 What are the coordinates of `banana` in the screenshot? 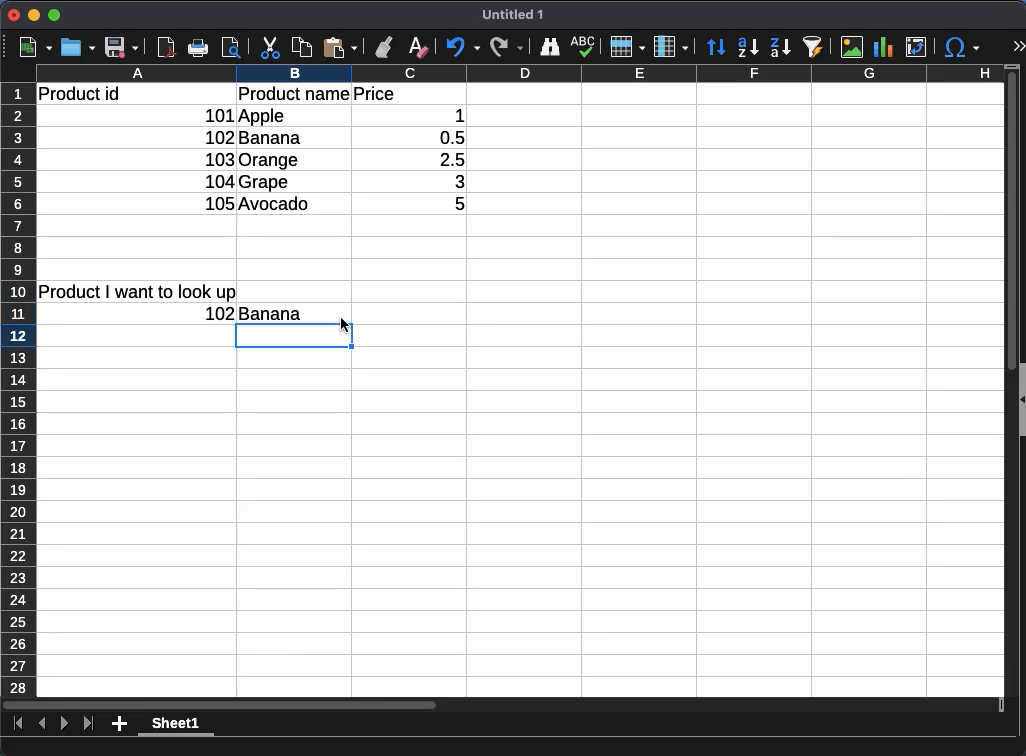 It's located at (271, 137).